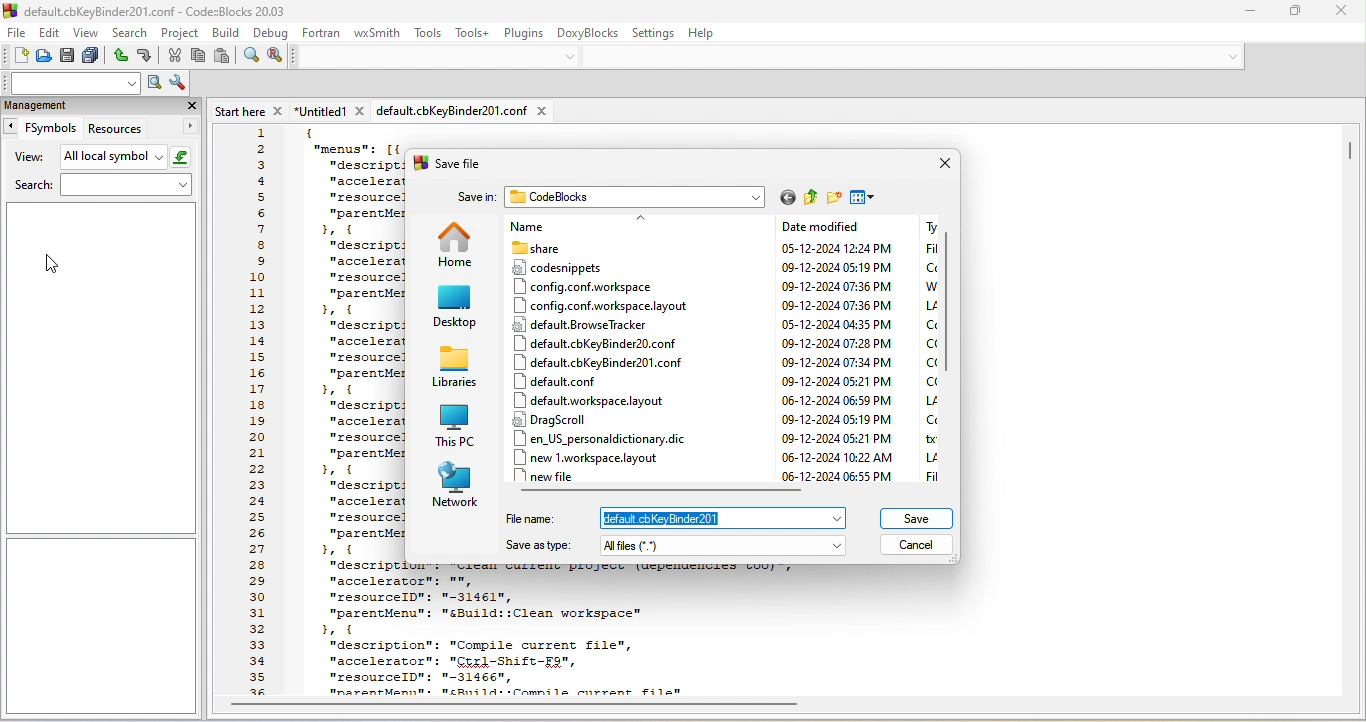 This screenshot has height=722, width=1366. What do you see at coordinates (663, 492) in the screenshot?
I see `horizontal scroll bar` at bounding box center [663, 492].